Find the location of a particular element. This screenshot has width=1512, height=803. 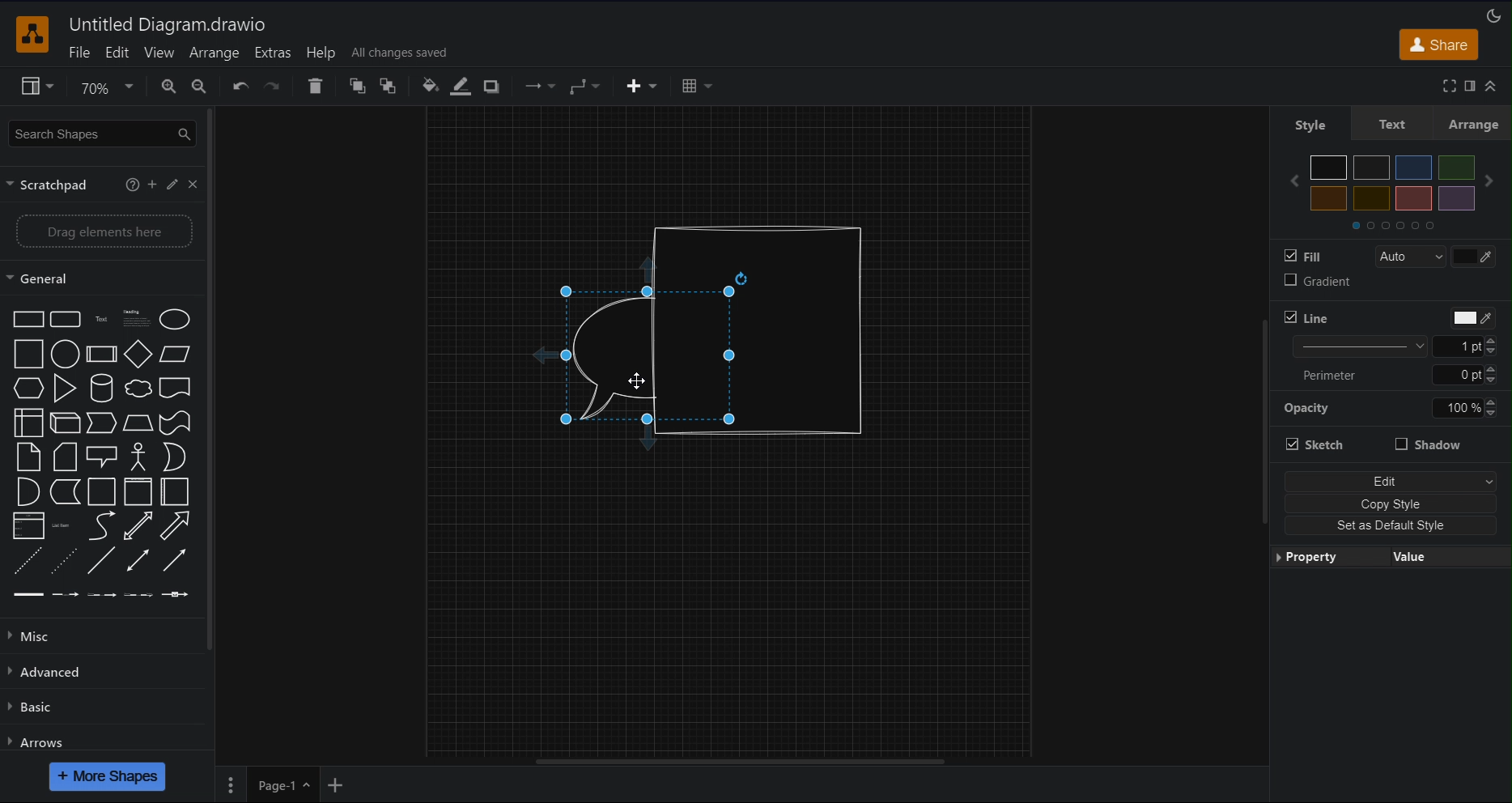

Basic is located at coordinates (102, 706).